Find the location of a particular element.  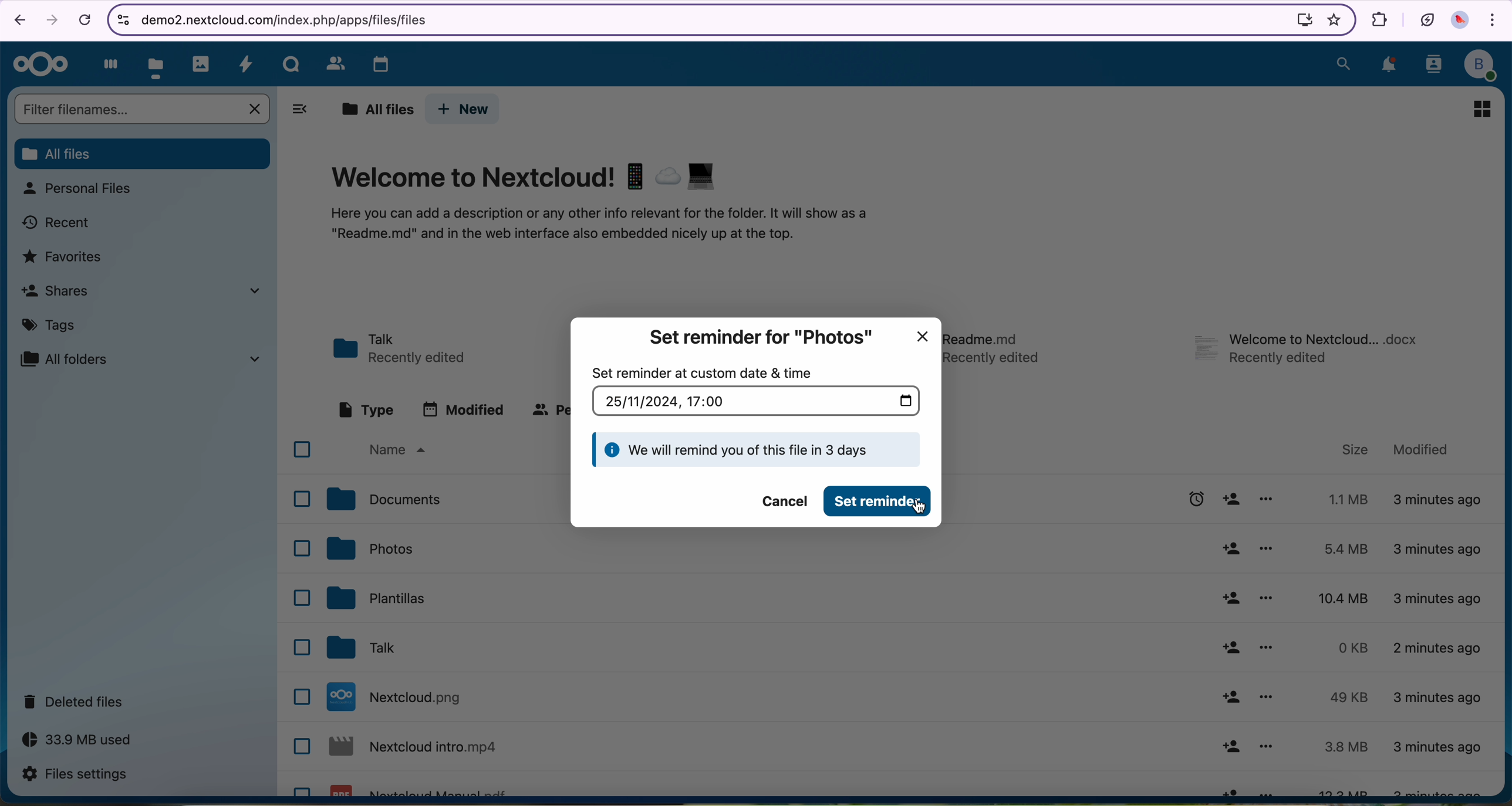

profile is located at coordinates (1481, 66).